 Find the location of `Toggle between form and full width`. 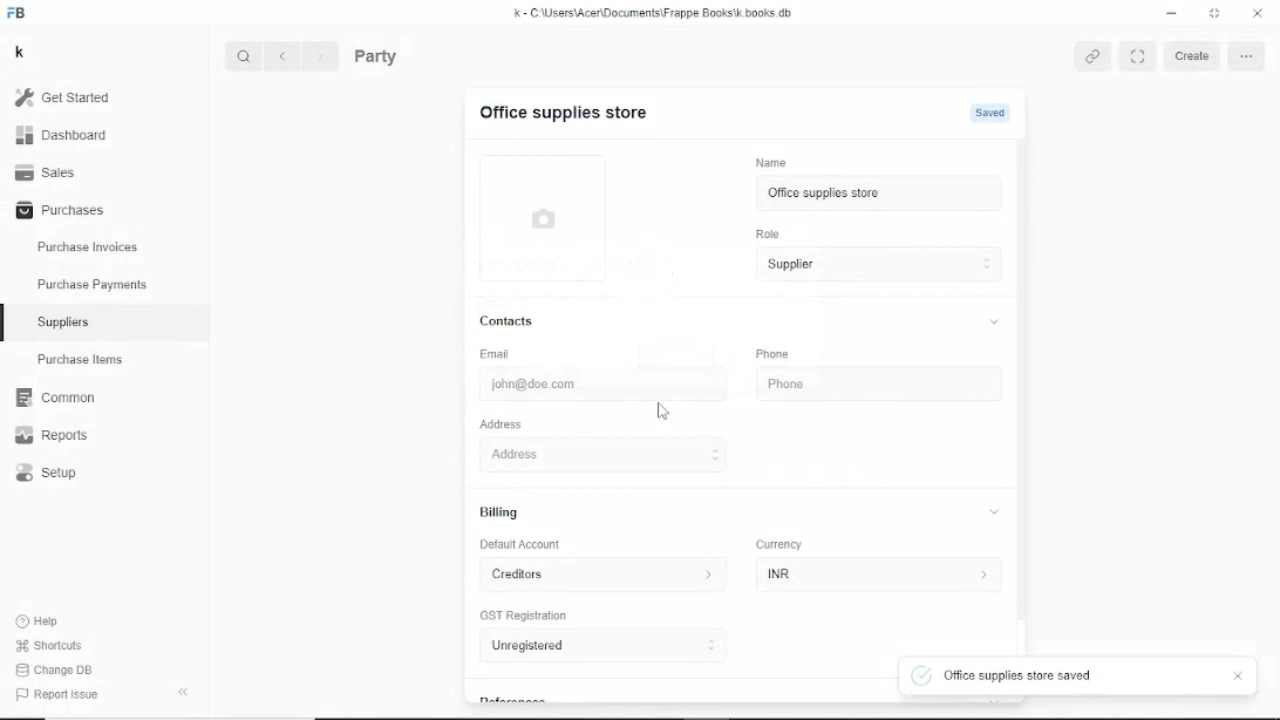

Toggle between form and full width is located at coordinates (1139, 56).